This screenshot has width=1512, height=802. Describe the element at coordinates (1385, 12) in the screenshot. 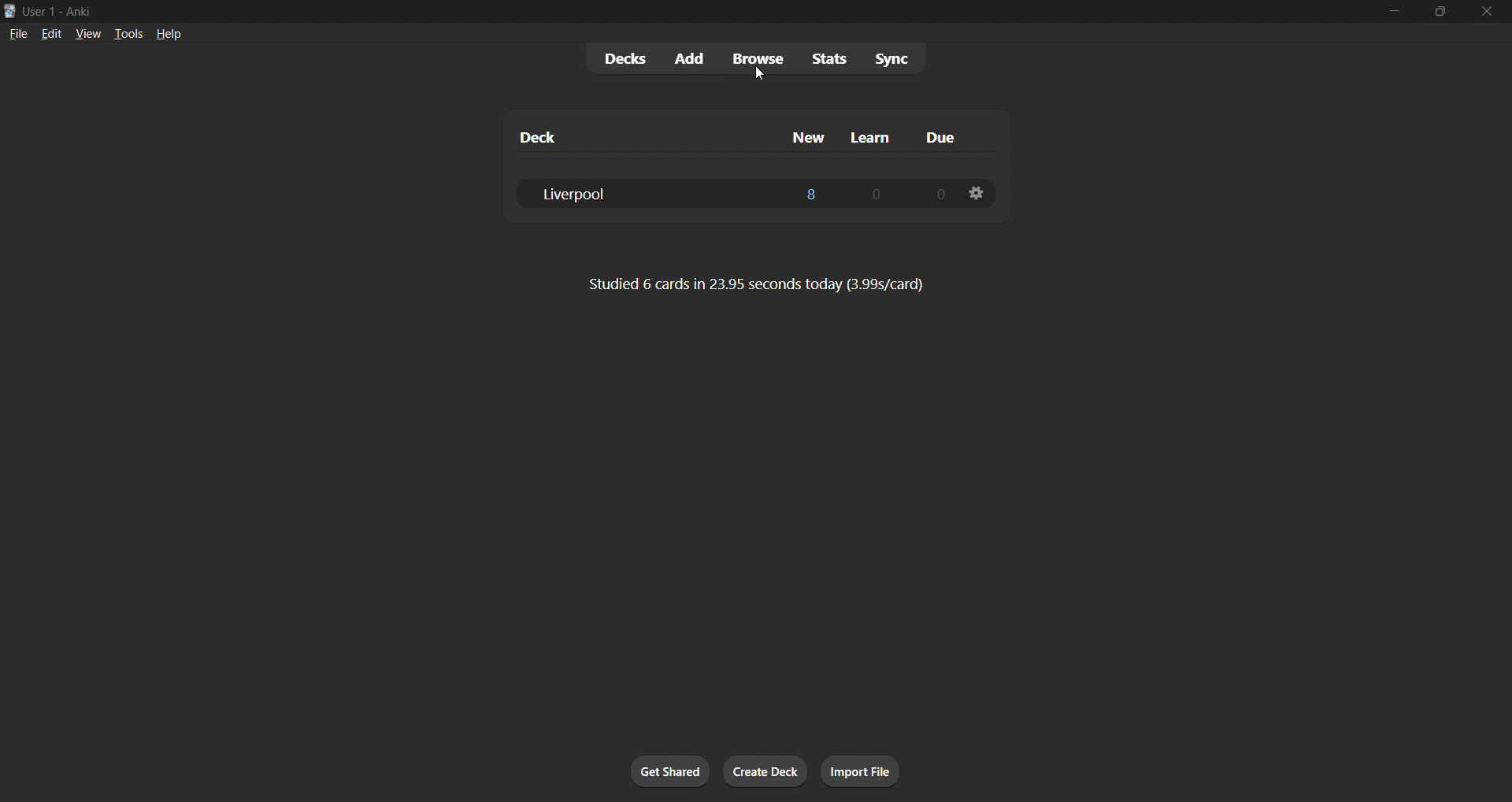

I see `minimize` at that location.